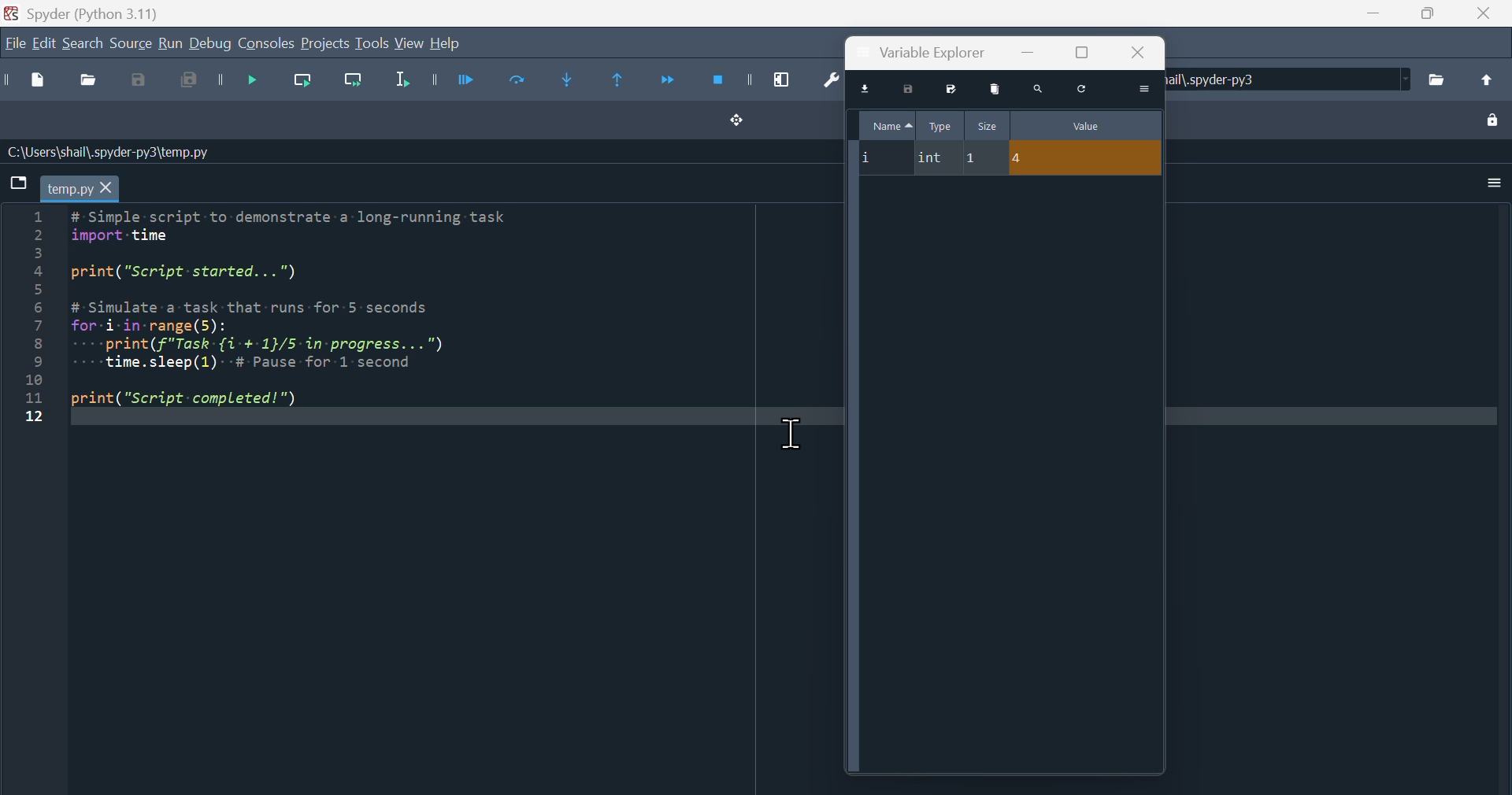  I want to click on view, so click(409, 43).